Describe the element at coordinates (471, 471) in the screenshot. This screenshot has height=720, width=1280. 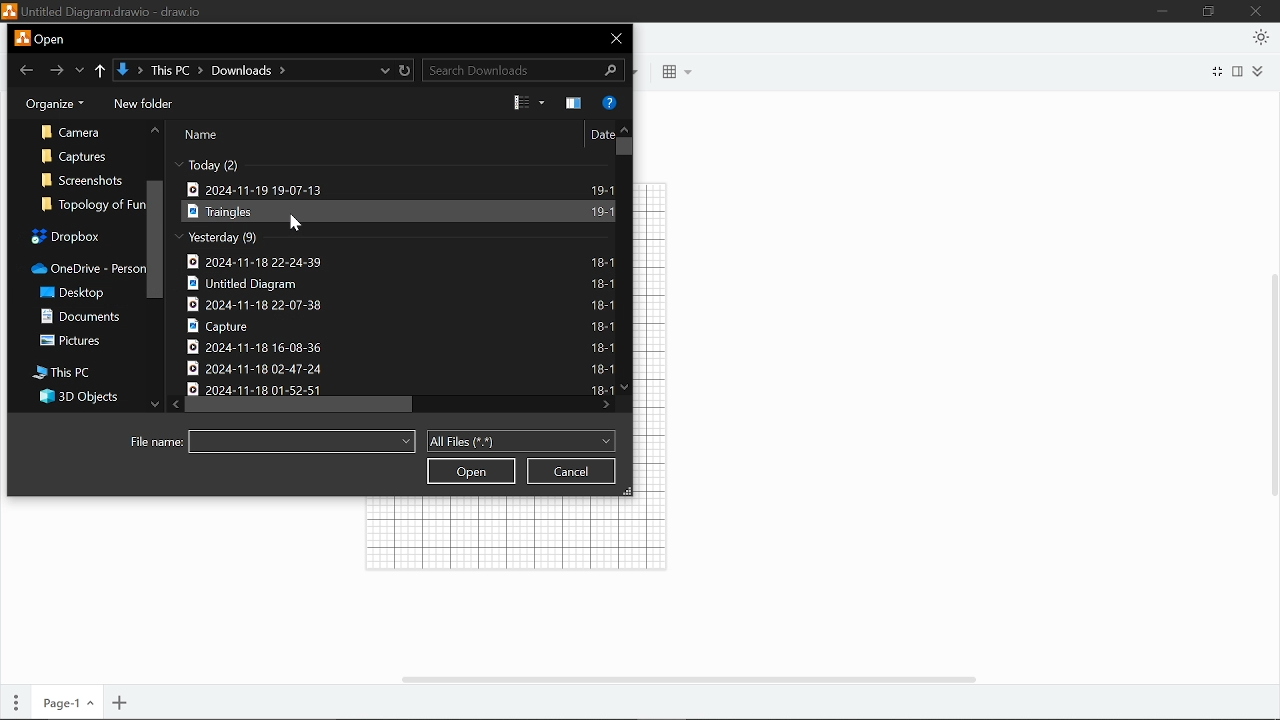
I see `Open` at that location.